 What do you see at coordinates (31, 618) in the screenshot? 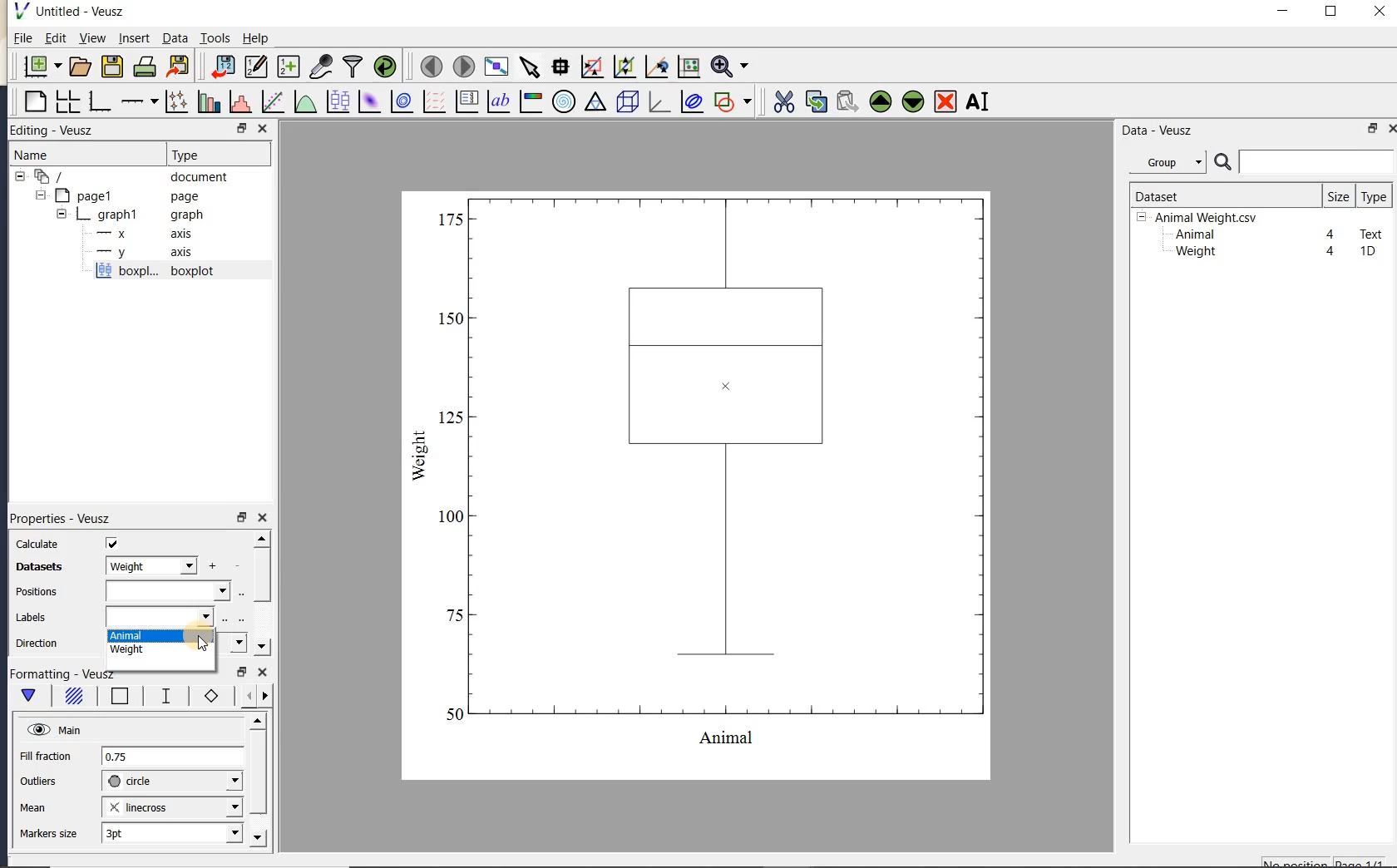
I see `Labels` at bounding box center [31, 618].